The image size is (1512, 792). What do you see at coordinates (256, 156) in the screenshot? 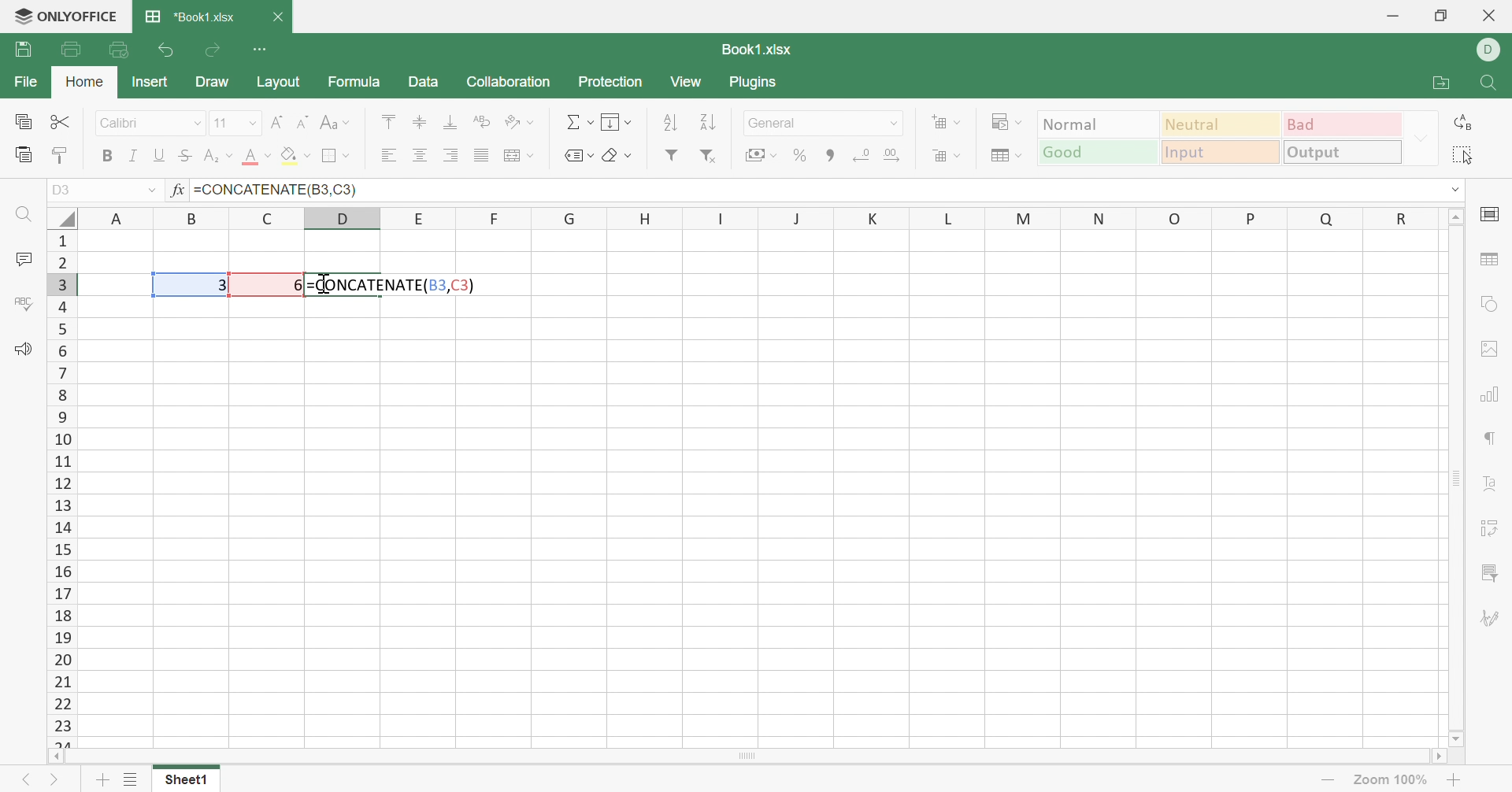
I see `Font color` at bounding box center [256, 156].